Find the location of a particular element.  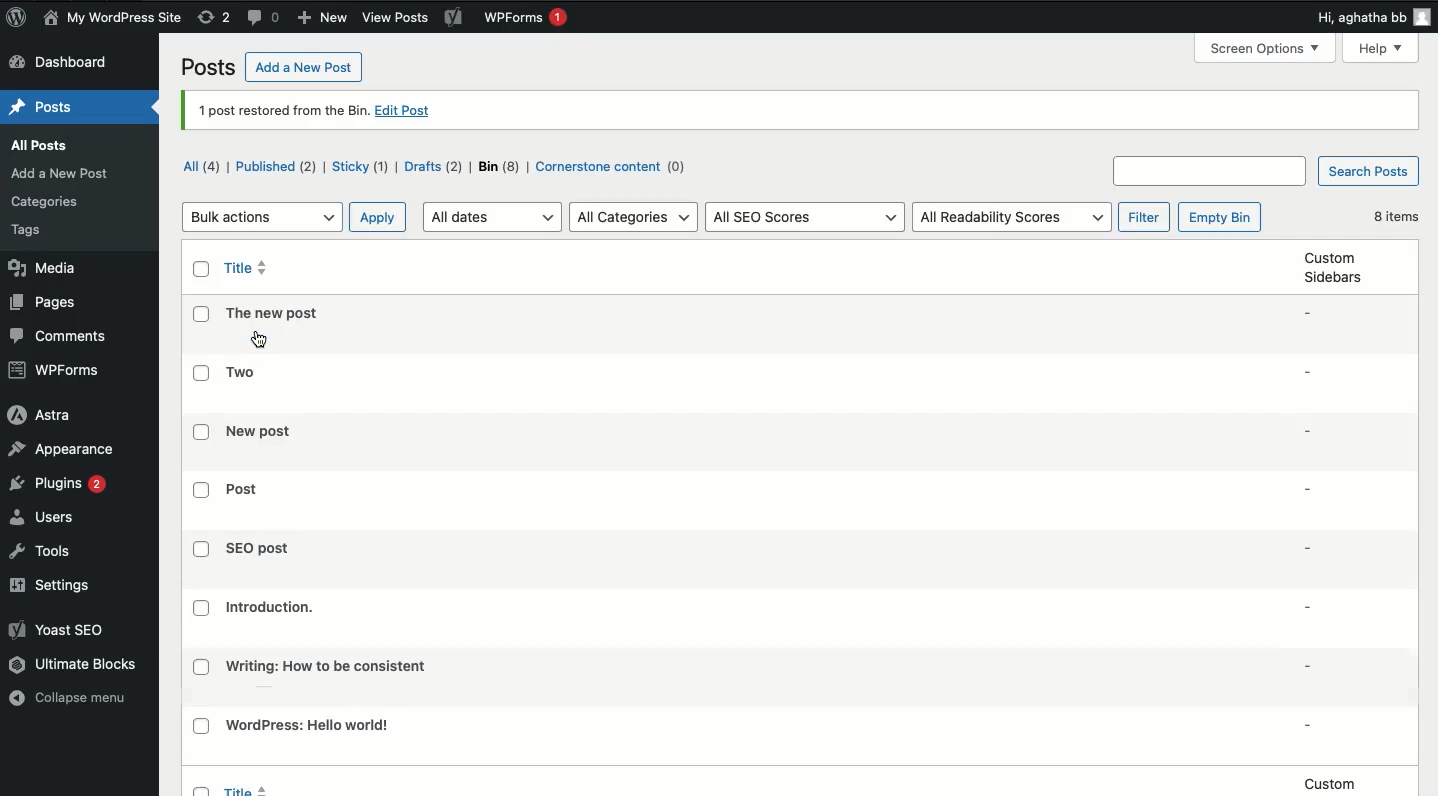

cursor is located at coordinates (259, 338).